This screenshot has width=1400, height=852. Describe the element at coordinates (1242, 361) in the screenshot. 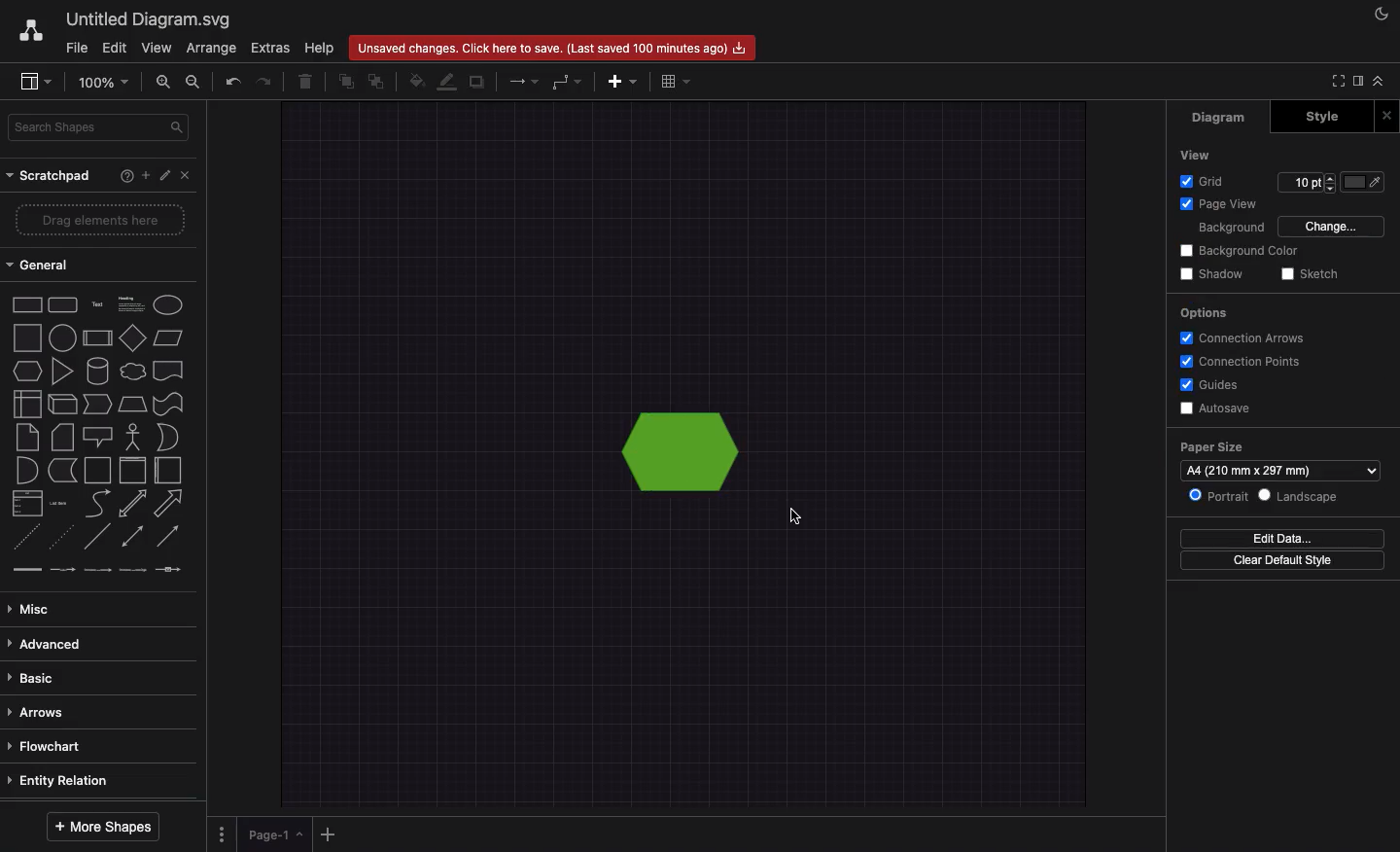

I see `Connection points` at that location.